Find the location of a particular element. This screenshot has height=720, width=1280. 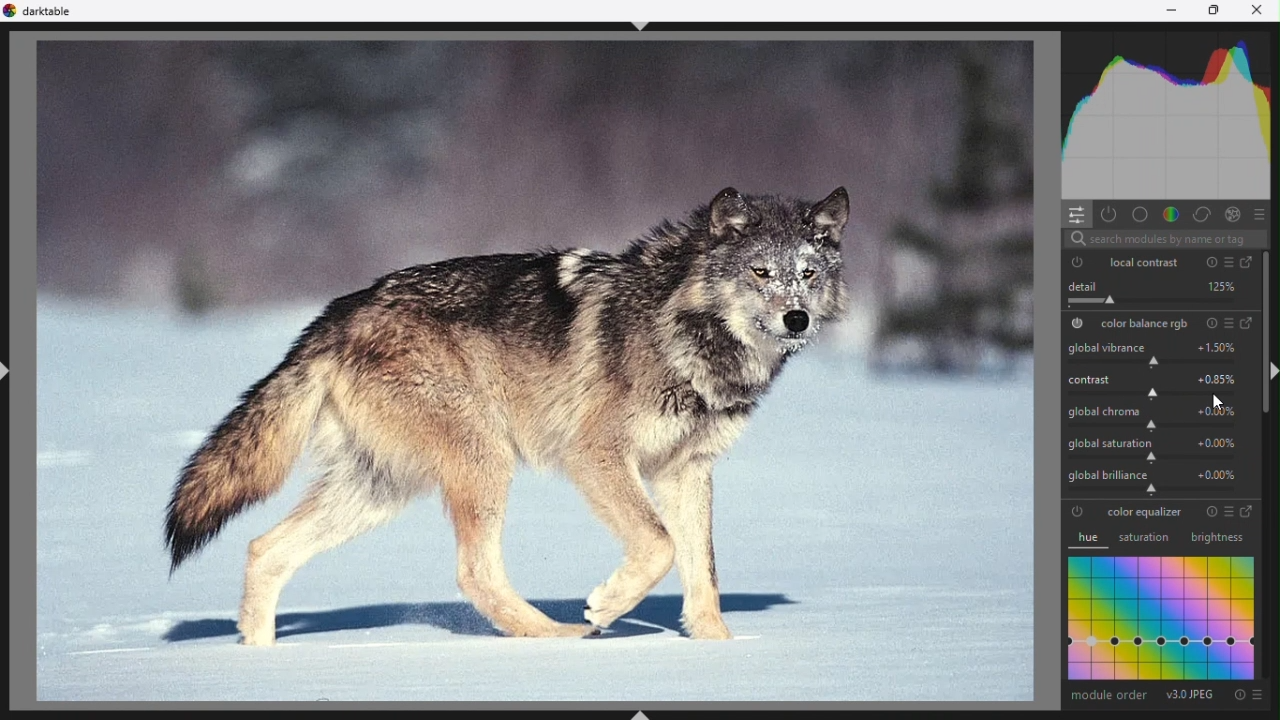

maximize is located at coordinates (1223, 10).